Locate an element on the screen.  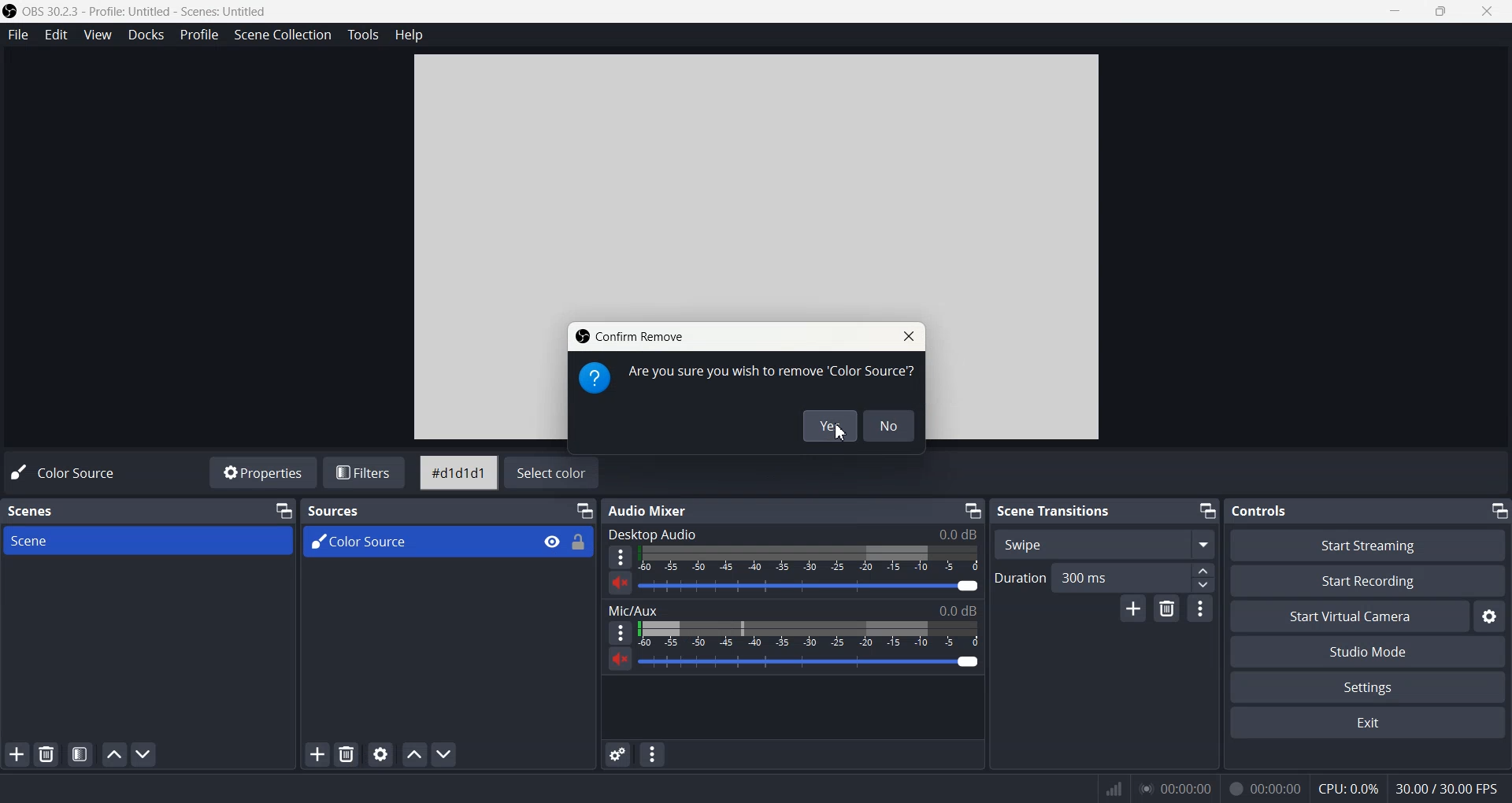
Add Source is located at coordinates (317, 754).